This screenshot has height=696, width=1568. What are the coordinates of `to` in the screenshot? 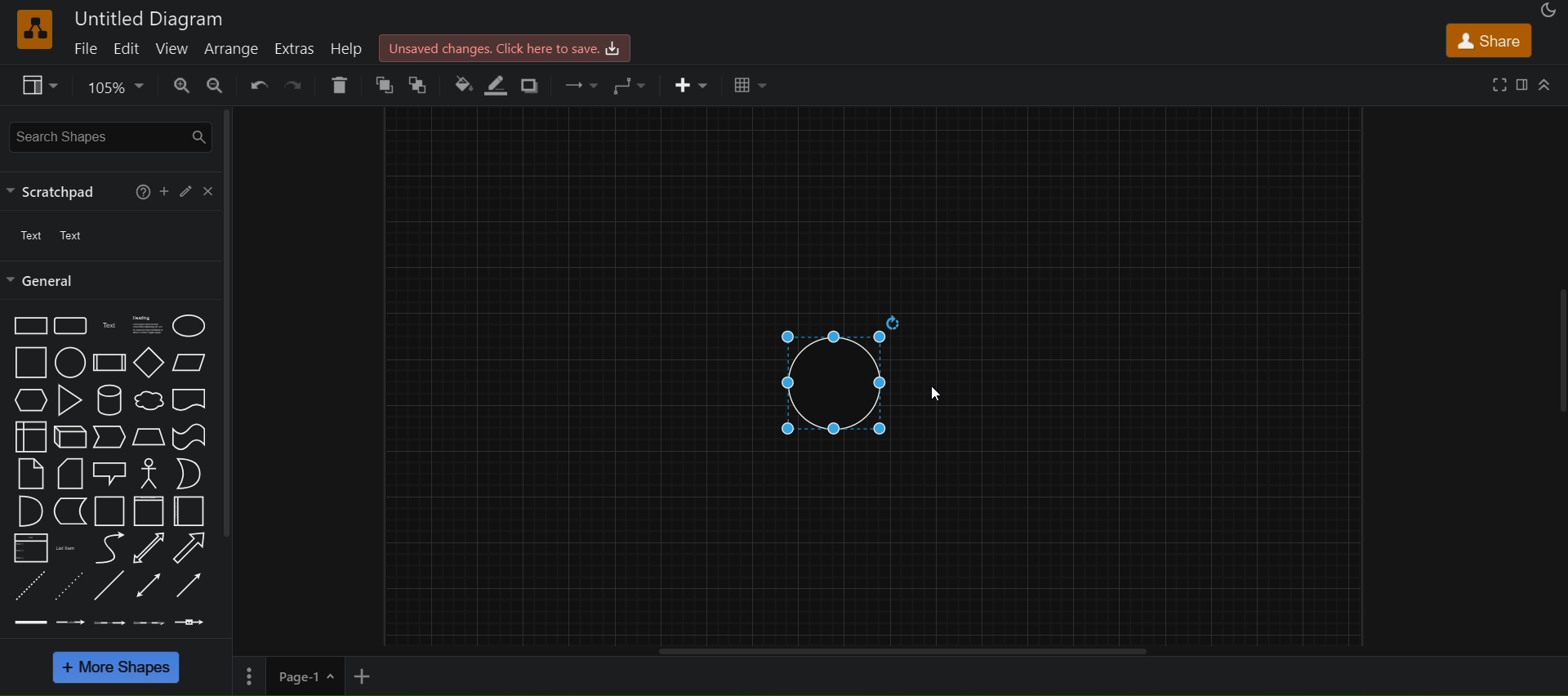 It's located at (419, 86).